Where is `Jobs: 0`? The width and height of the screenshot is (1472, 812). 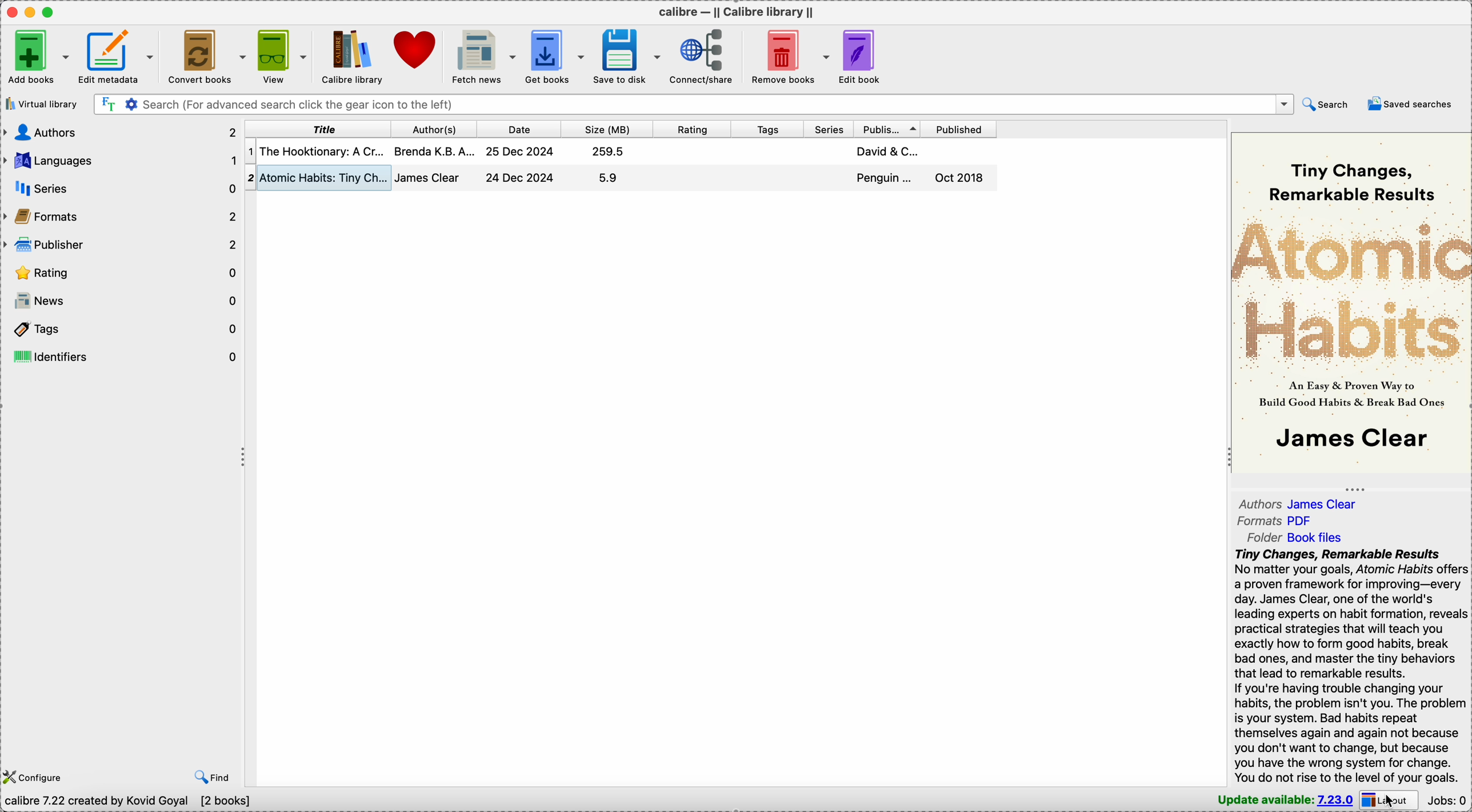 Jobs: 0 is located at coordinates (1449, 801).